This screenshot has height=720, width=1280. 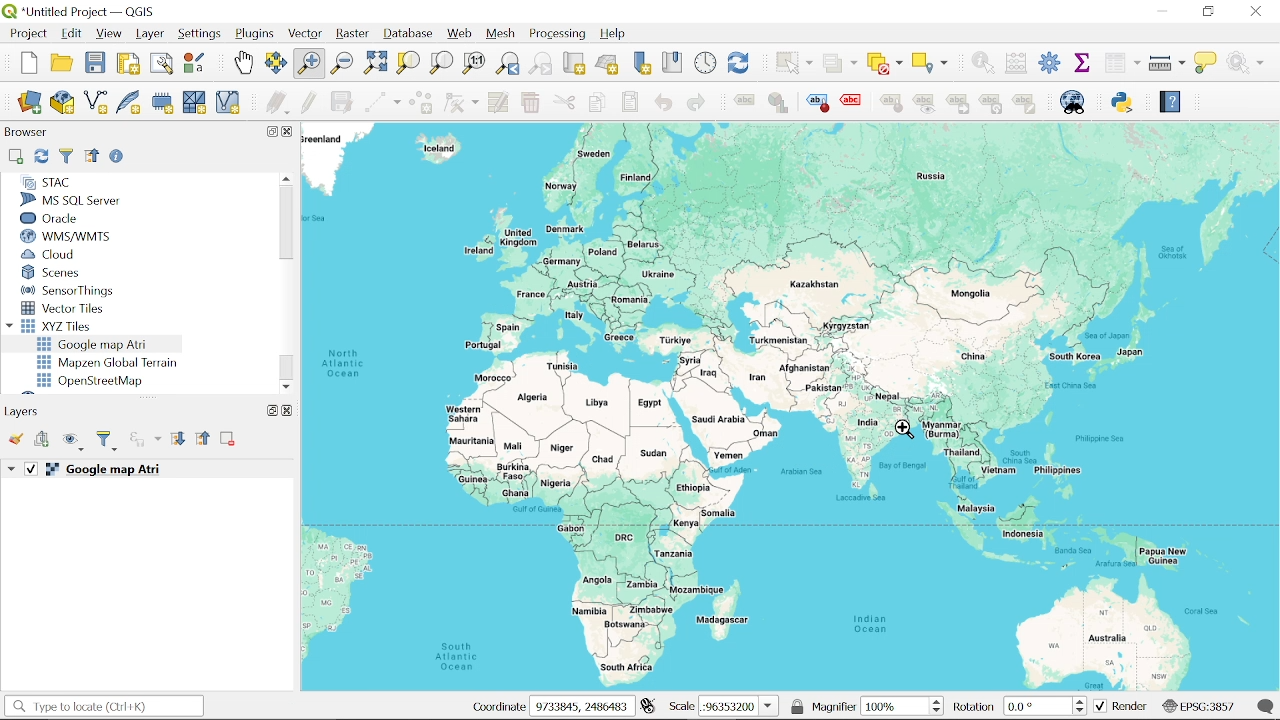 I want to click on Open attribute , so click(x=1122, y=64).